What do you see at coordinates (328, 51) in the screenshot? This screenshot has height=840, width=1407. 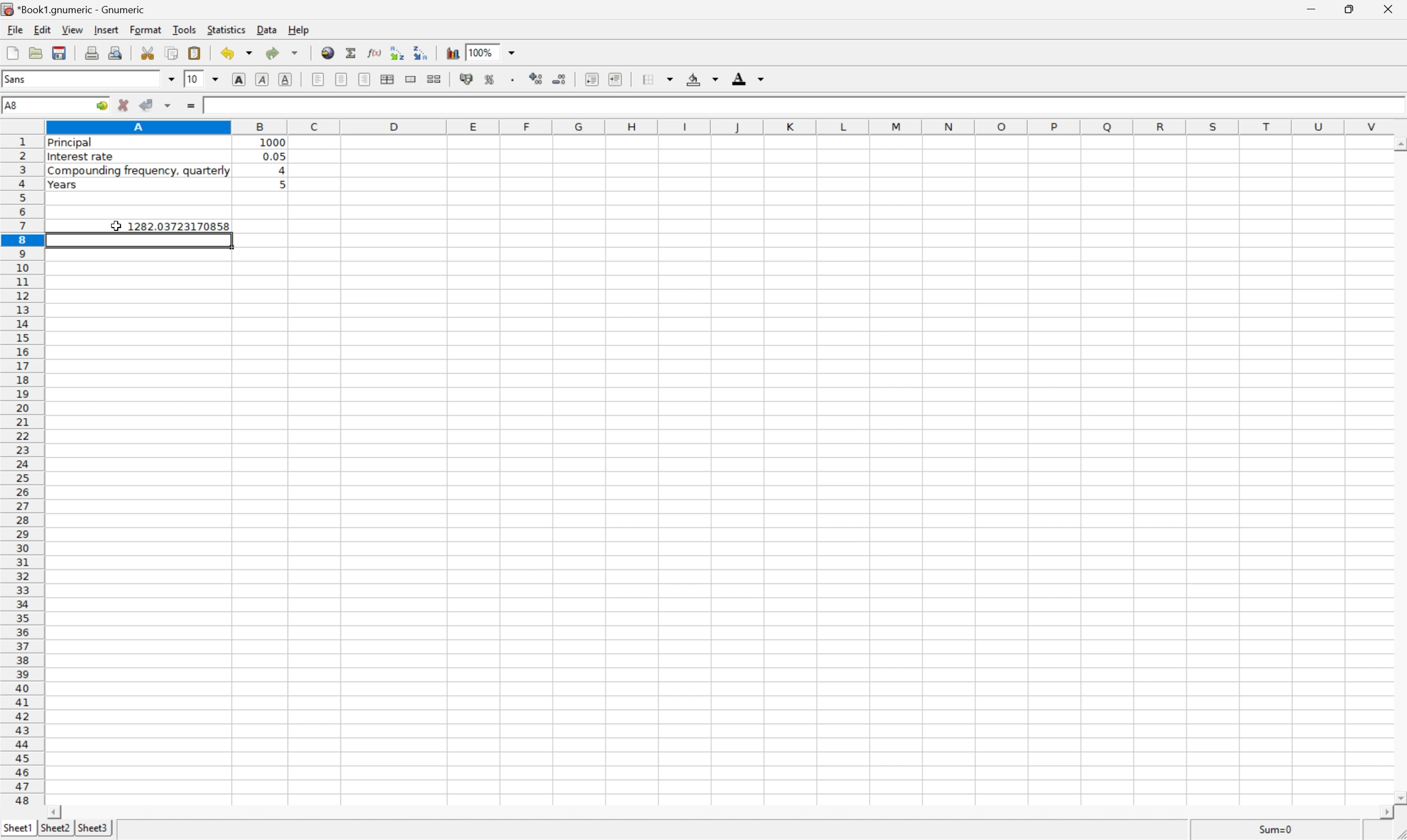 I see `insert hyperlink` at bounding box center [328, 51].